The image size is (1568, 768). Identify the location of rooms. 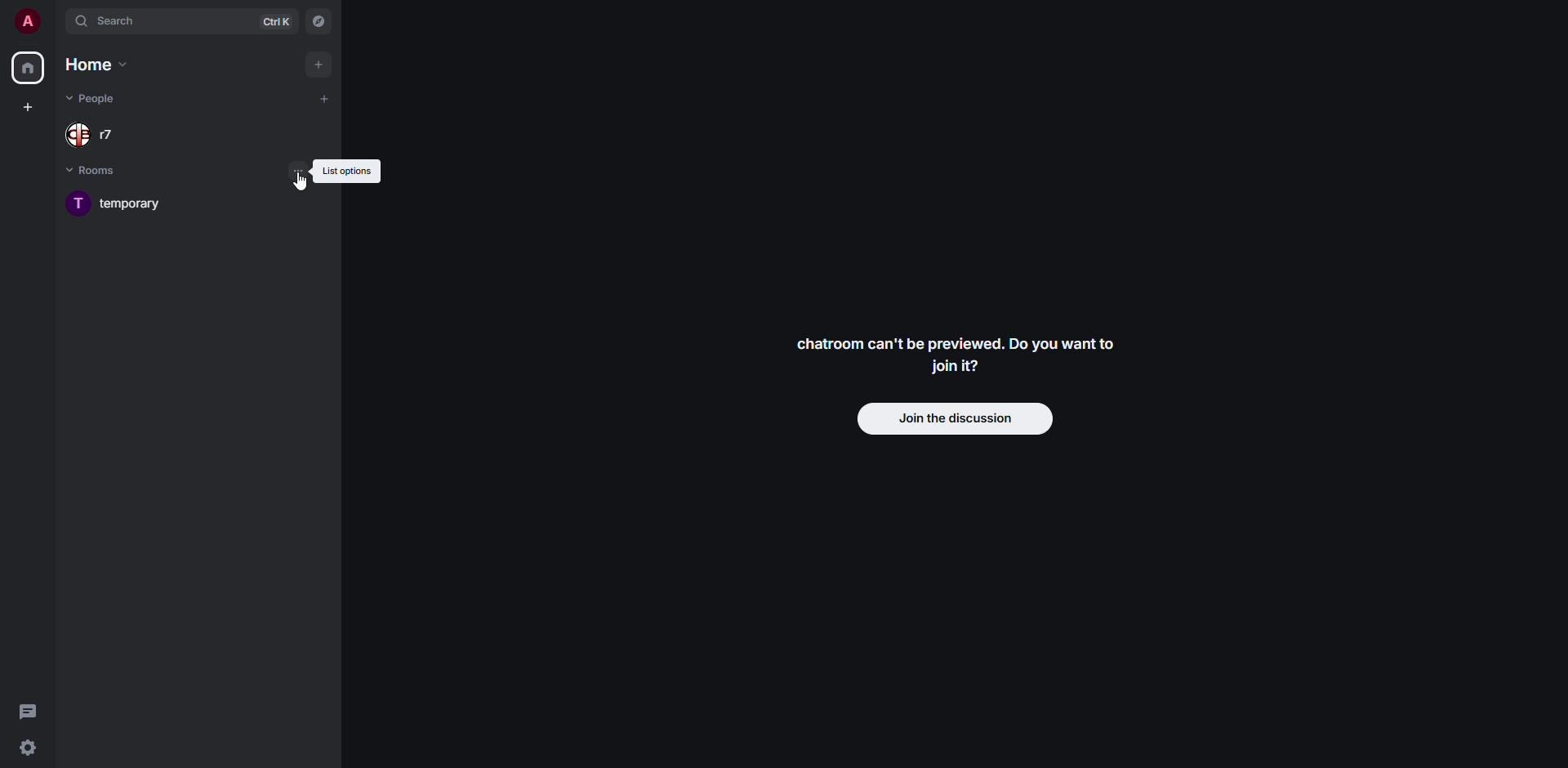
(96, 171).